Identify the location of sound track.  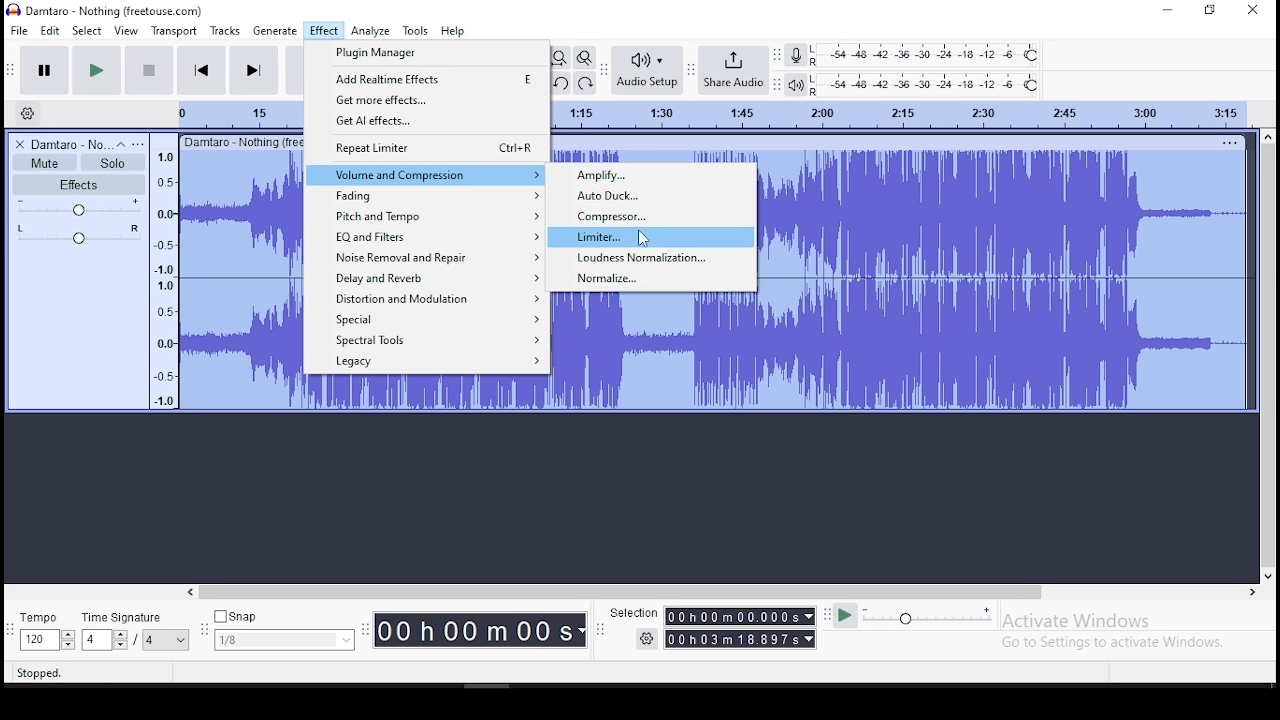
(656, 149).